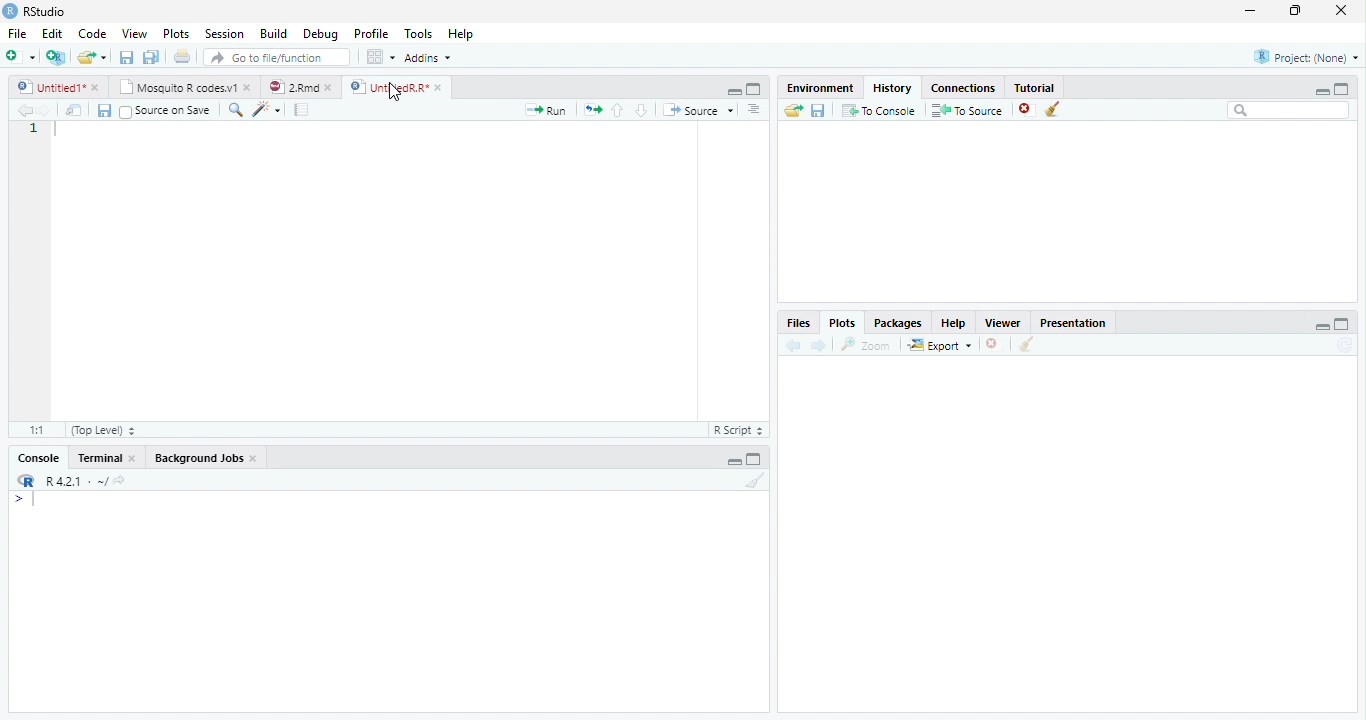 The height and width of the screenshot is (720, 1366). Describe the element at coordinates (1322, 327) in the screenshot. I see `minimize` at that location.